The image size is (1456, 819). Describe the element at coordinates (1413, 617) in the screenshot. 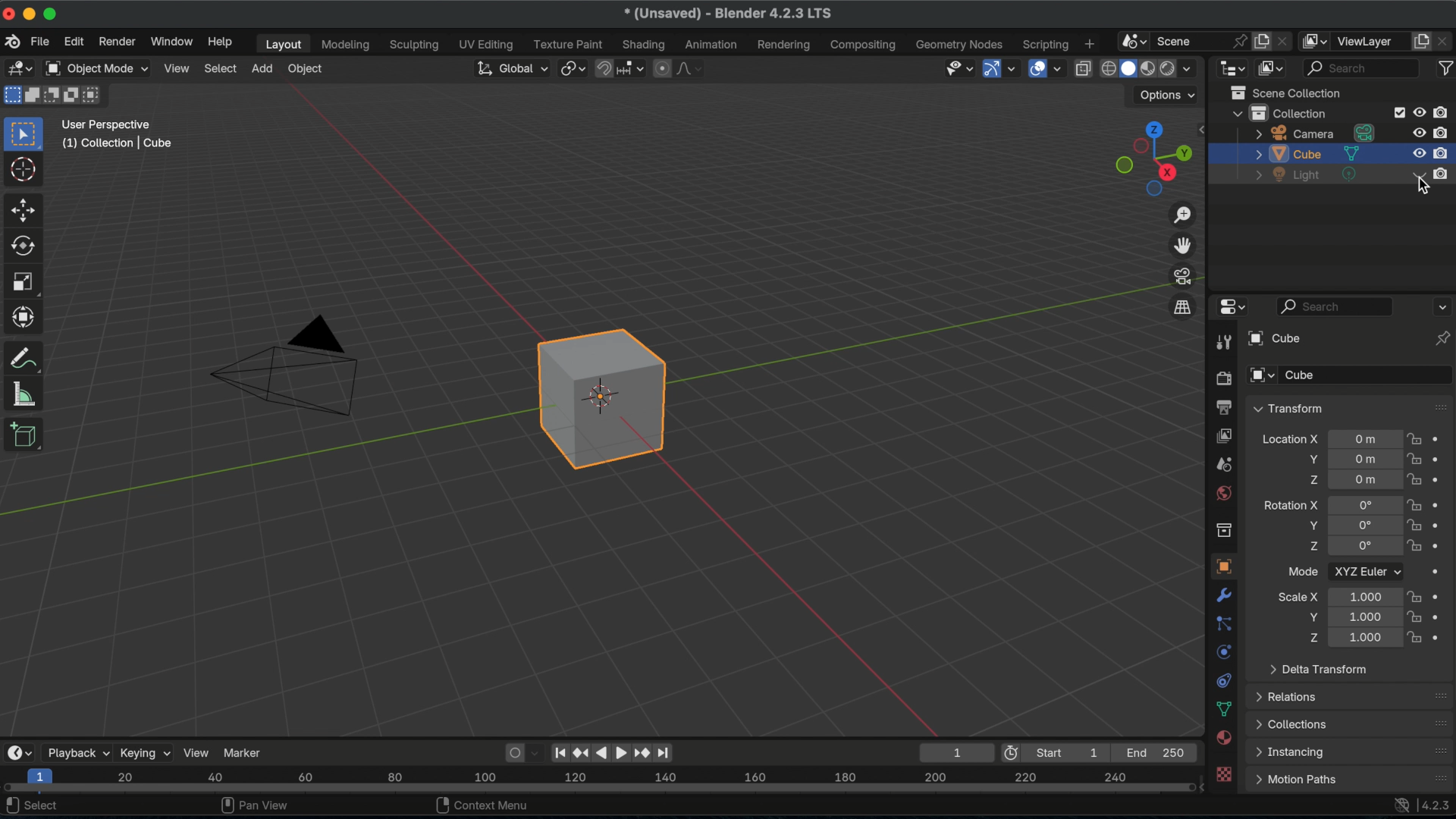

I see `lock scale` at that location.